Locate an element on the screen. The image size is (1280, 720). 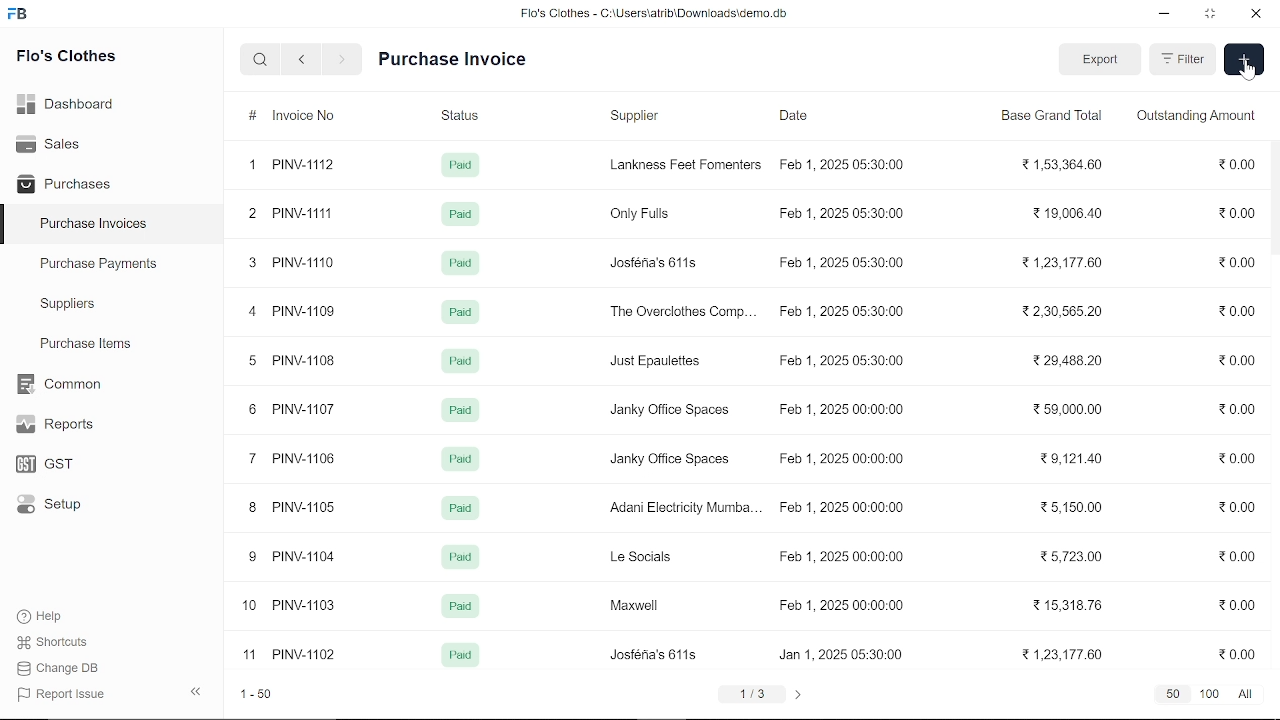
J Report Issue is located at coordinates (58, 694).